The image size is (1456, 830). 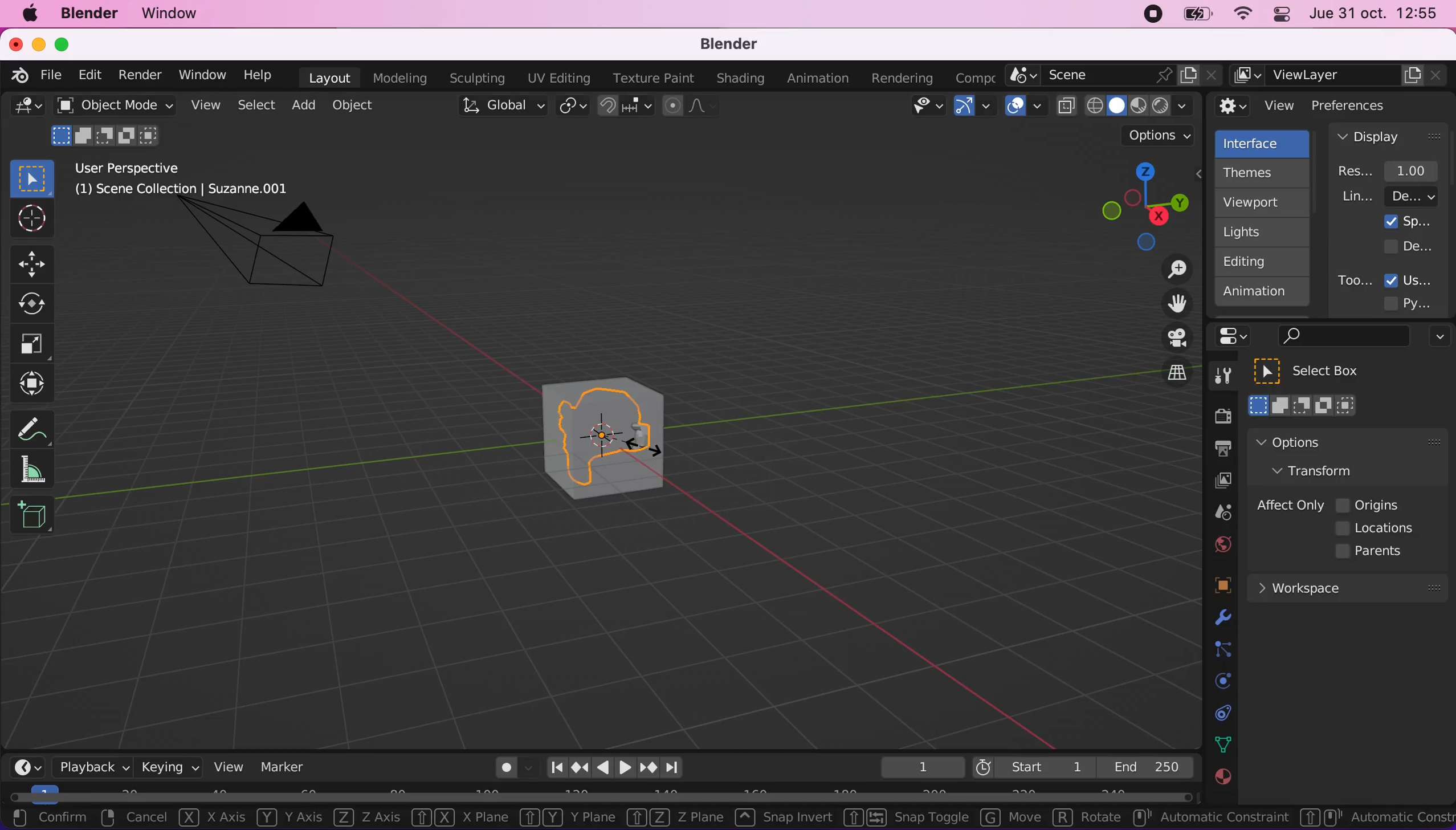 What do you see at coordinates (89, 766) in the screenshot?
I see `playback` at bounding box center [89, 766].